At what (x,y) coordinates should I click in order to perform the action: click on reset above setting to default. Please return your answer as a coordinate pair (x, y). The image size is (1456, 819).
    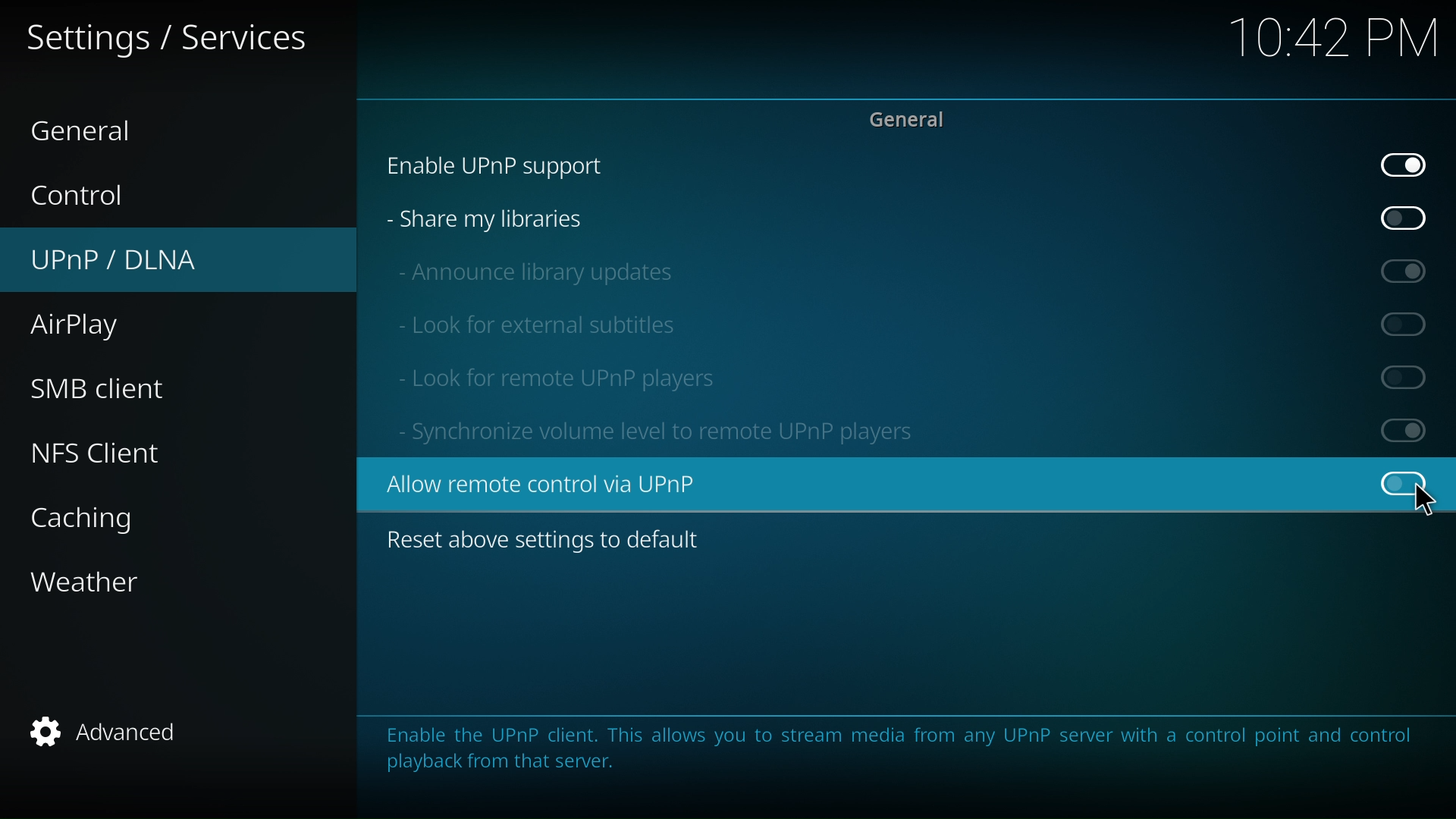
    Looking at the image, I should click on (557, 541).